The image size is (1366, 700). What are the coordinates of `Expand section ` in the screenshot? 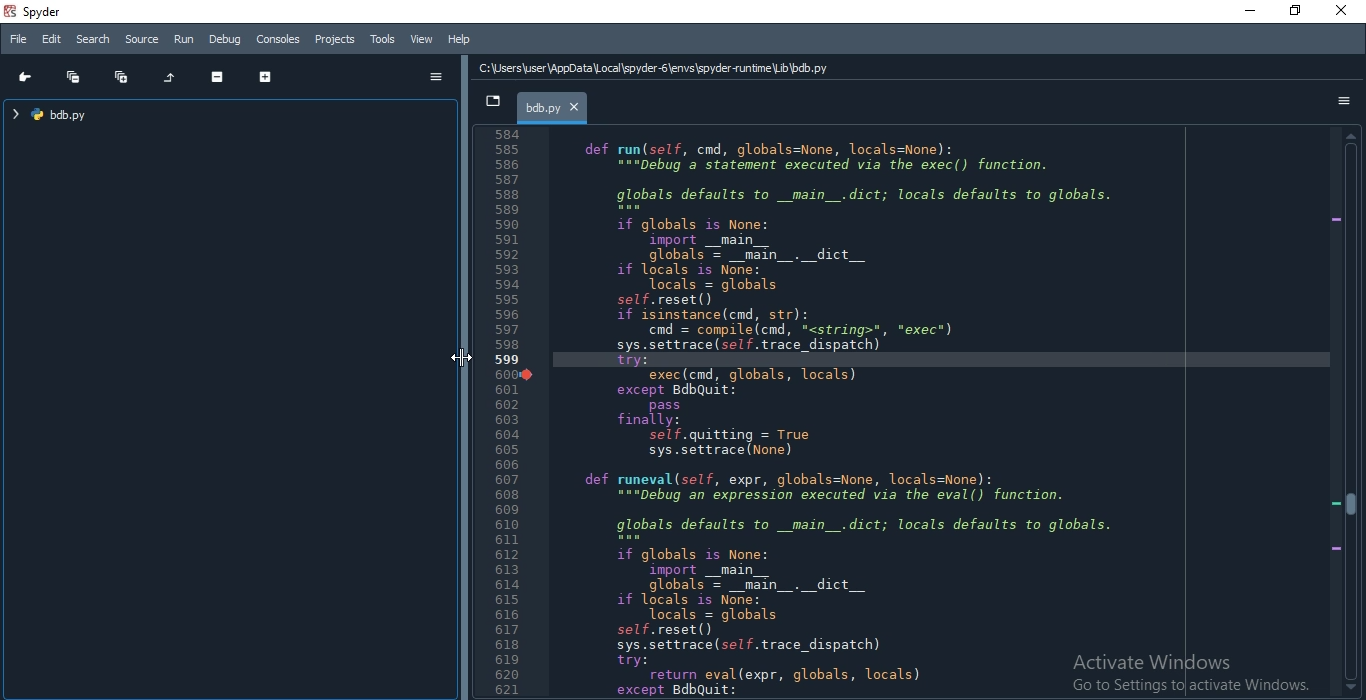 It's located at (263, 75).